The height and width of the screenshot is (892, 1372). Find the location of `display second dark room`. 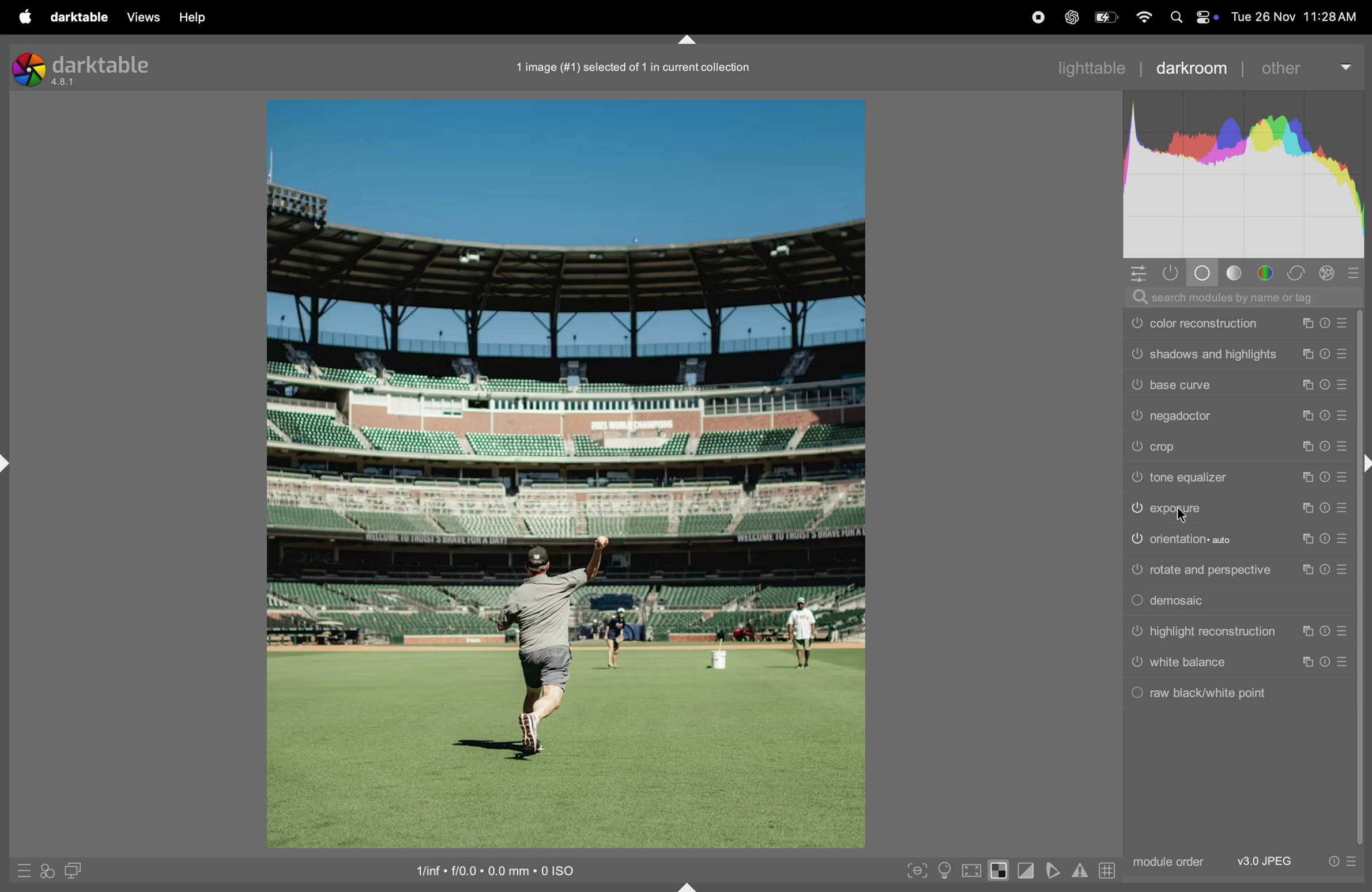

display second dark room is located at coordinates (78, 870).